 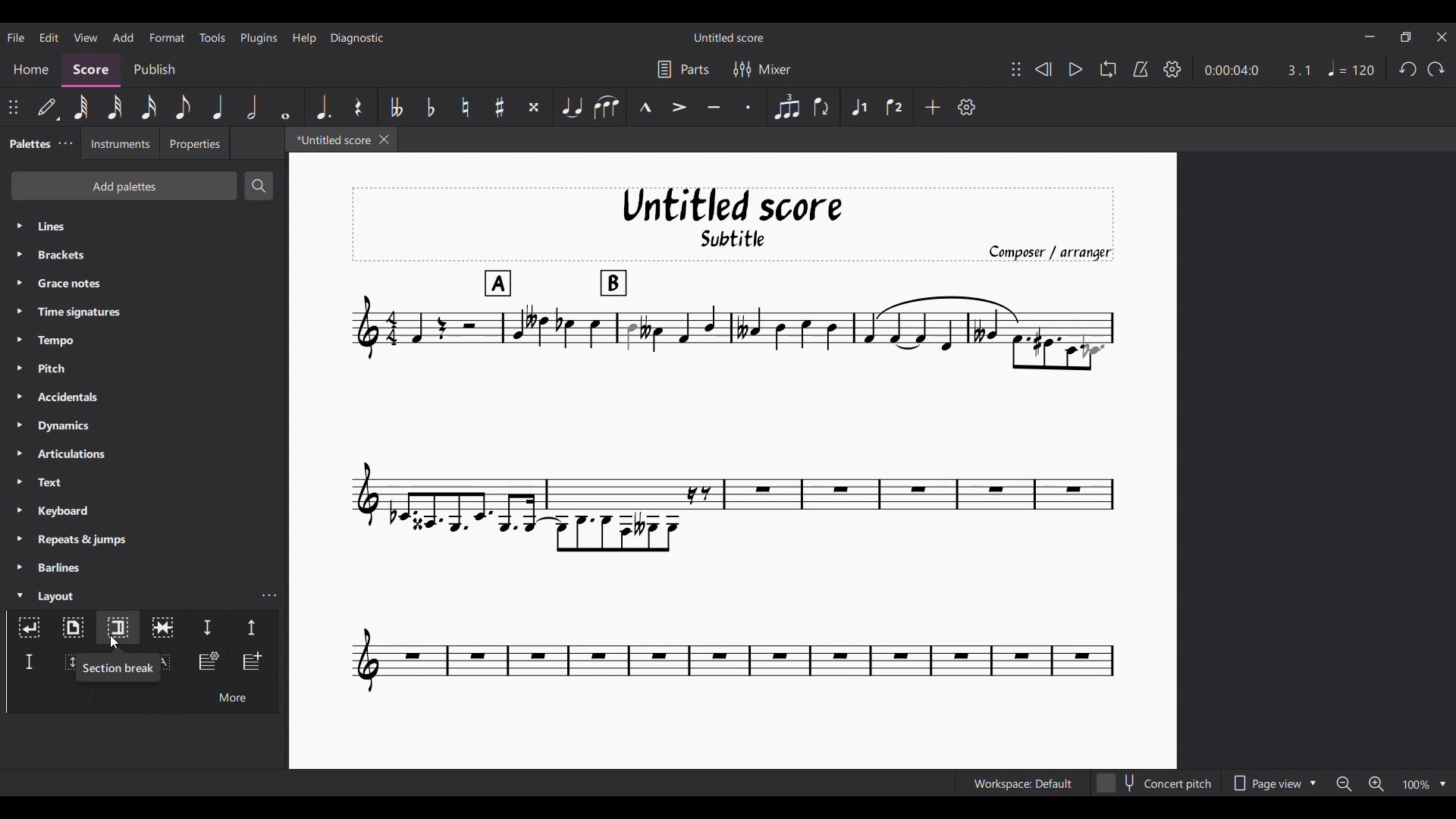 I want to click on Add, so click(x=932, y=107).